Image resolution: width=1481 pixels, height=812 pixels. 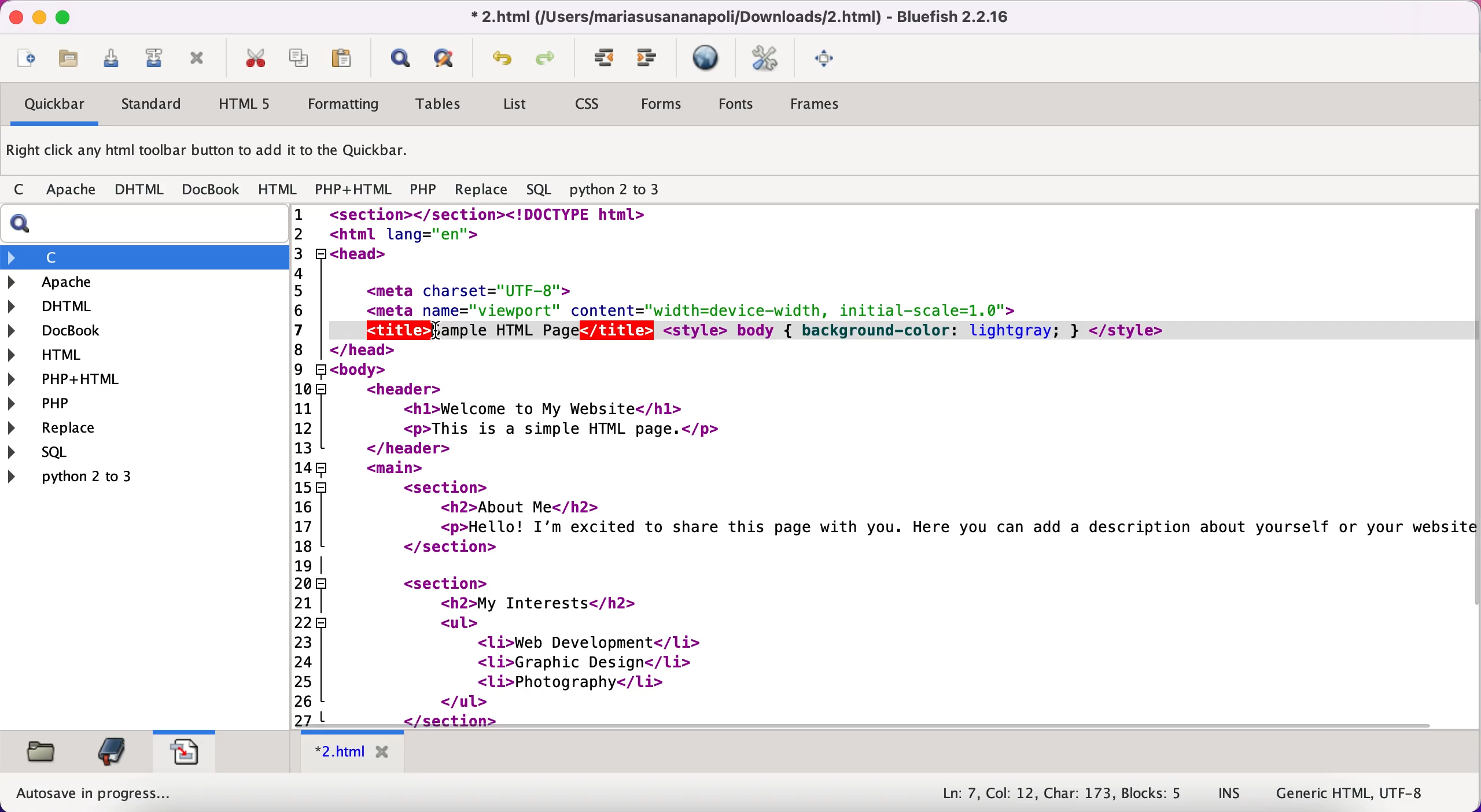 I want to click on generic html, utf-8, so click(x=1361, y=792).